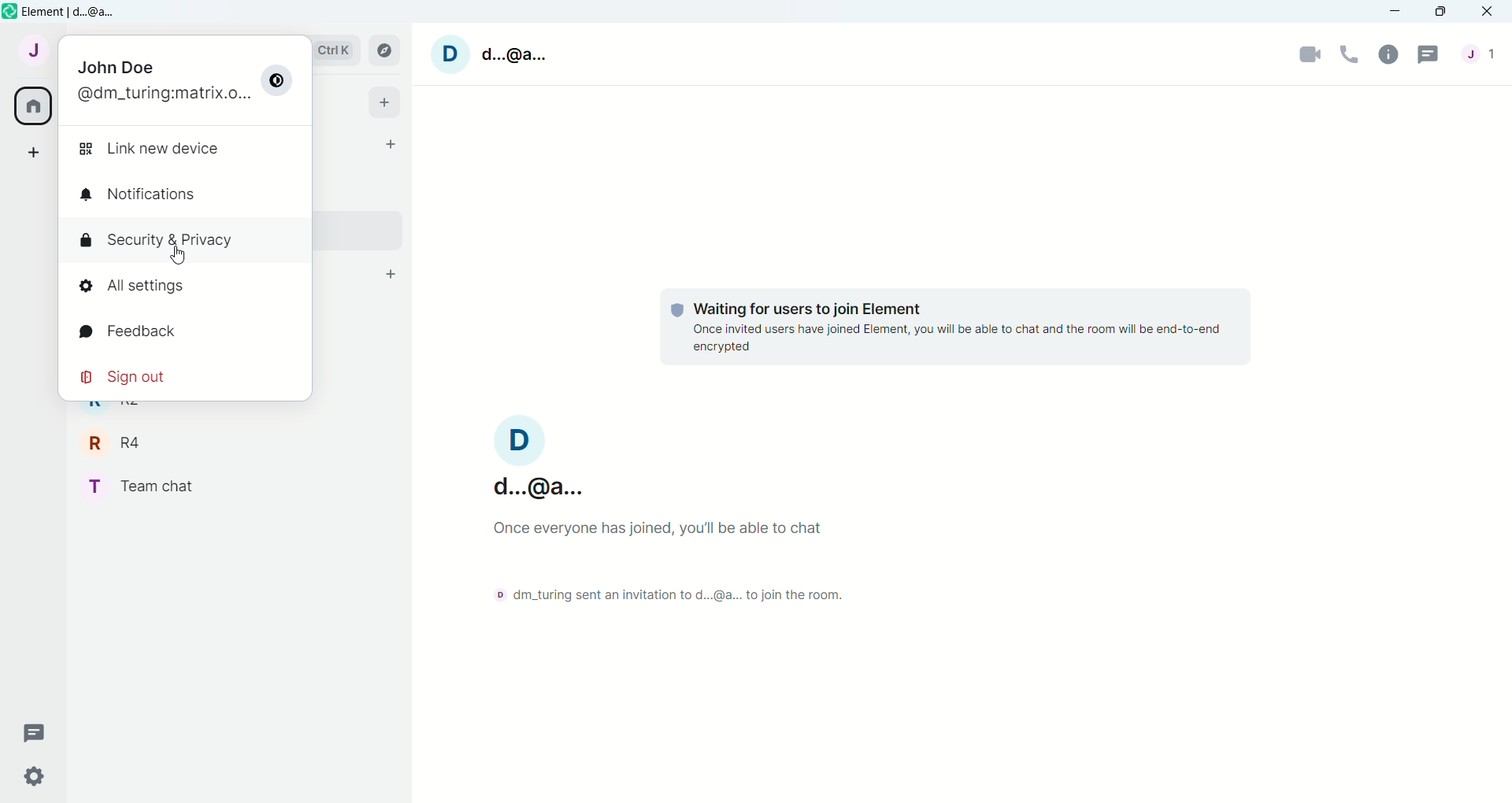 The width and height of the screenshot is (1512, 803). Describe the element at coordinates (34, 106) in the screenshot. I see `All room` at that location.